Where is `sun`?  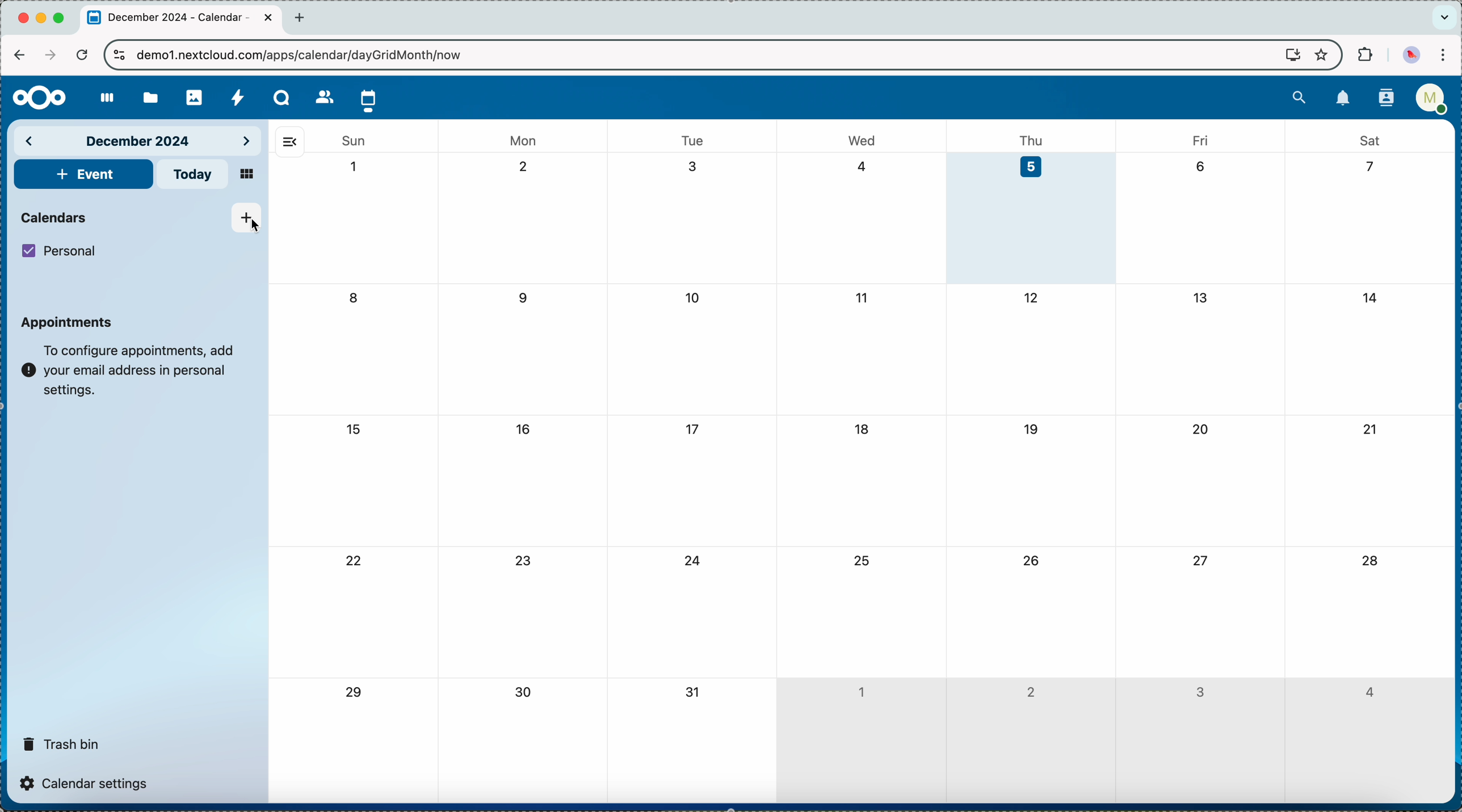
sun is located at coordinates (352, 141).